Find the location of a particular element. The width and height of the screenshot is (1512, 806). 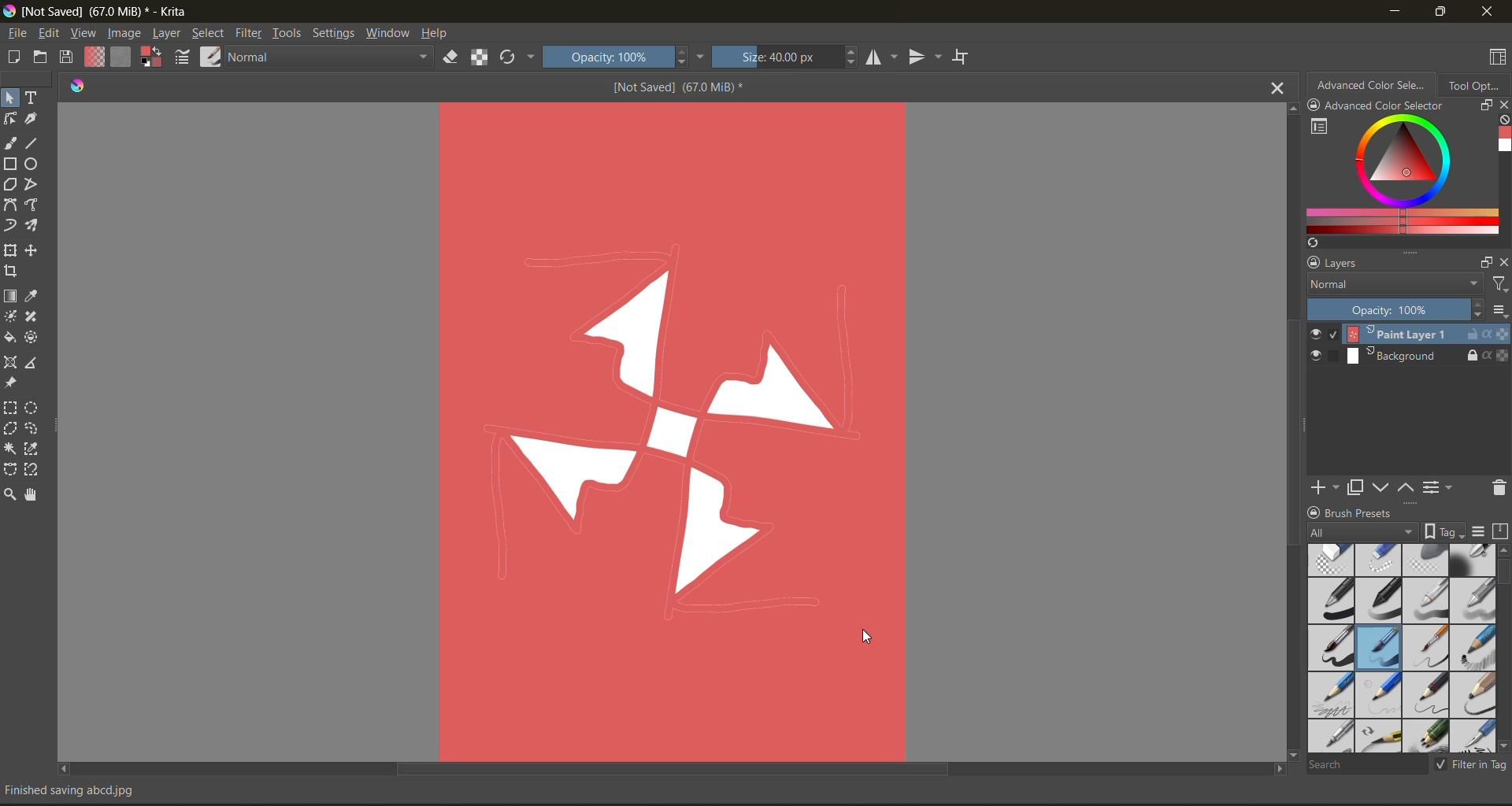

tools is located at coordinates (33, 471).